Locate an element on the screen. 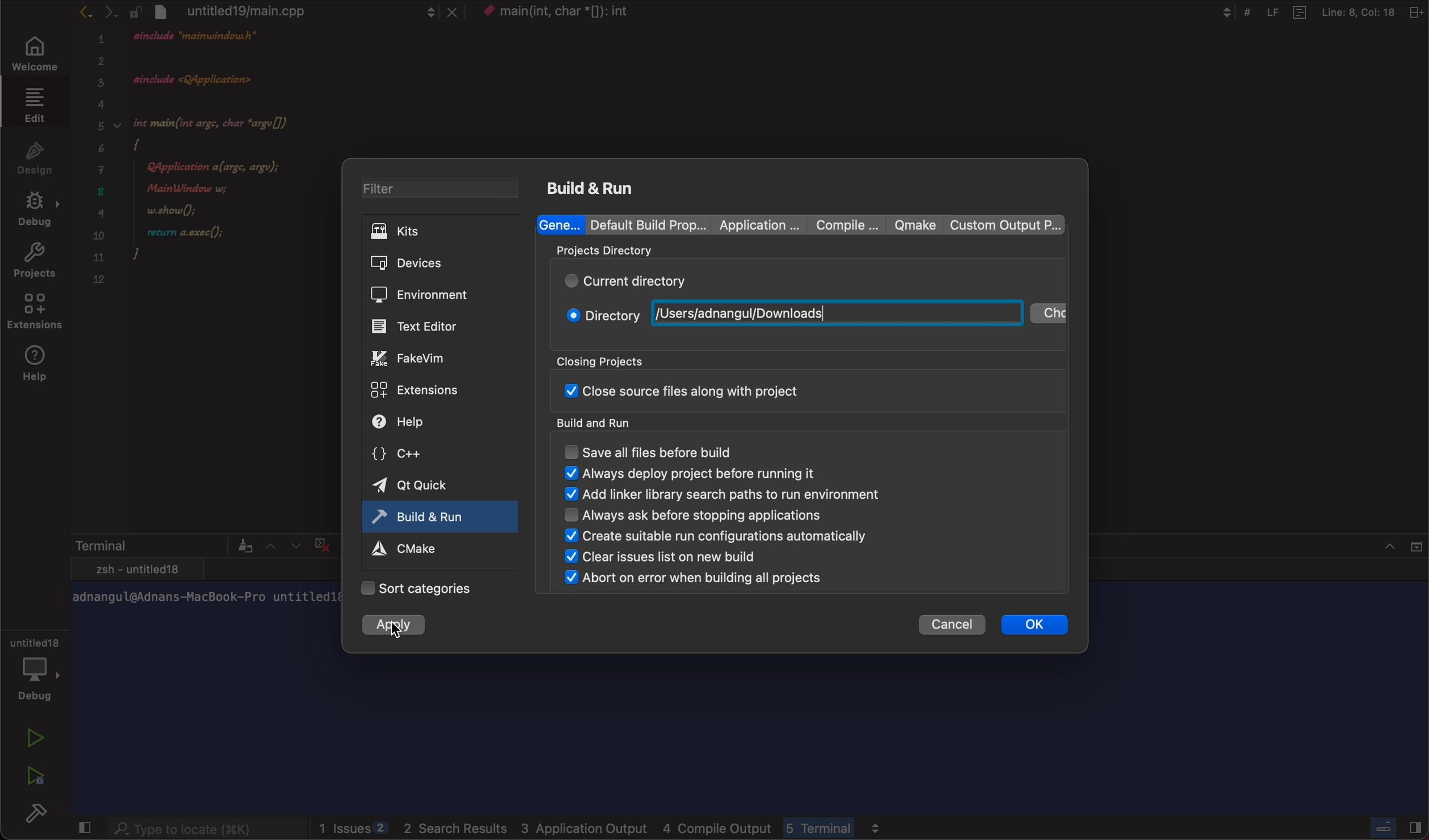 The image size is (1429, 840). editor is located at coordinates (421, 326).